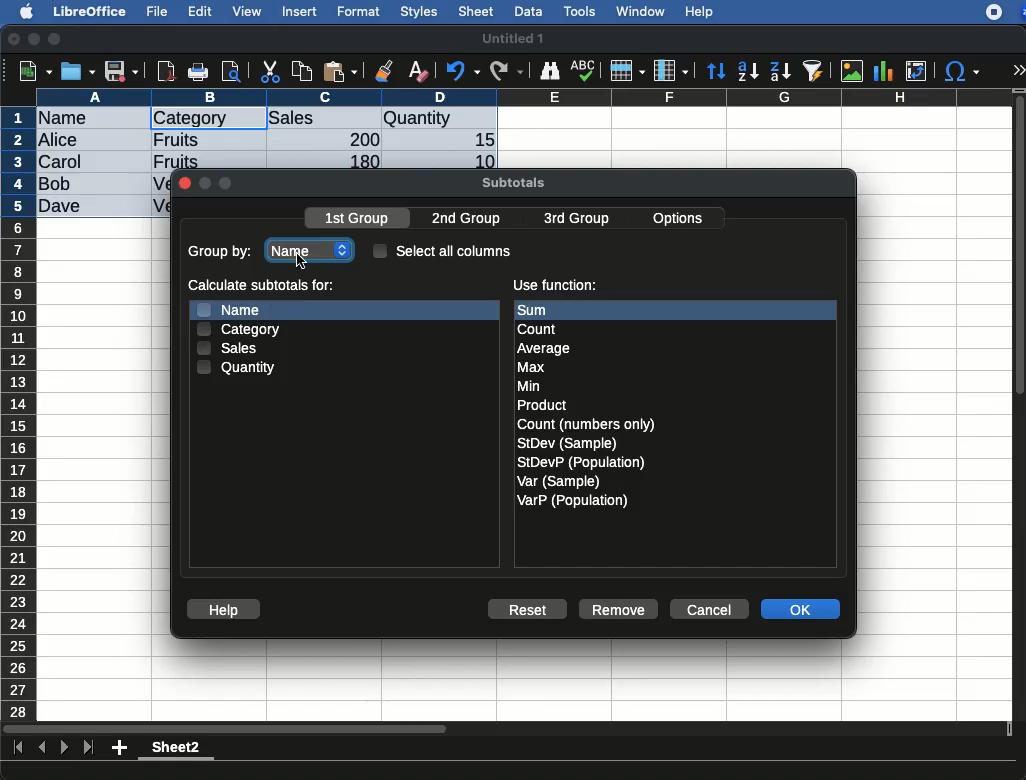 Image resolution: width=1026 pixels, height=780 pixels. I want to click on remove, so click(619, 609).